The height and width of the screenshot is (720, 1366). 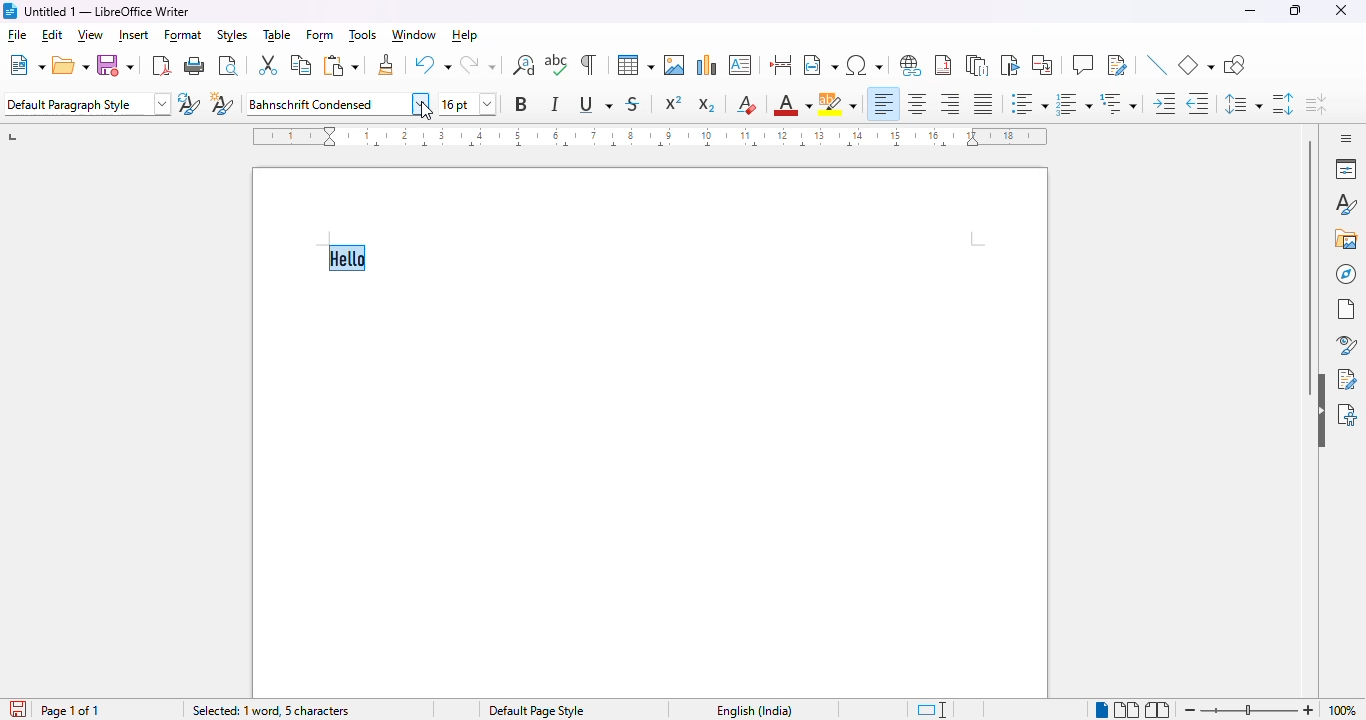 What do you see at coordinates (1073, 103) in the screenshot?
I see `toggle ordered list` at bounding box center [1073, 103].